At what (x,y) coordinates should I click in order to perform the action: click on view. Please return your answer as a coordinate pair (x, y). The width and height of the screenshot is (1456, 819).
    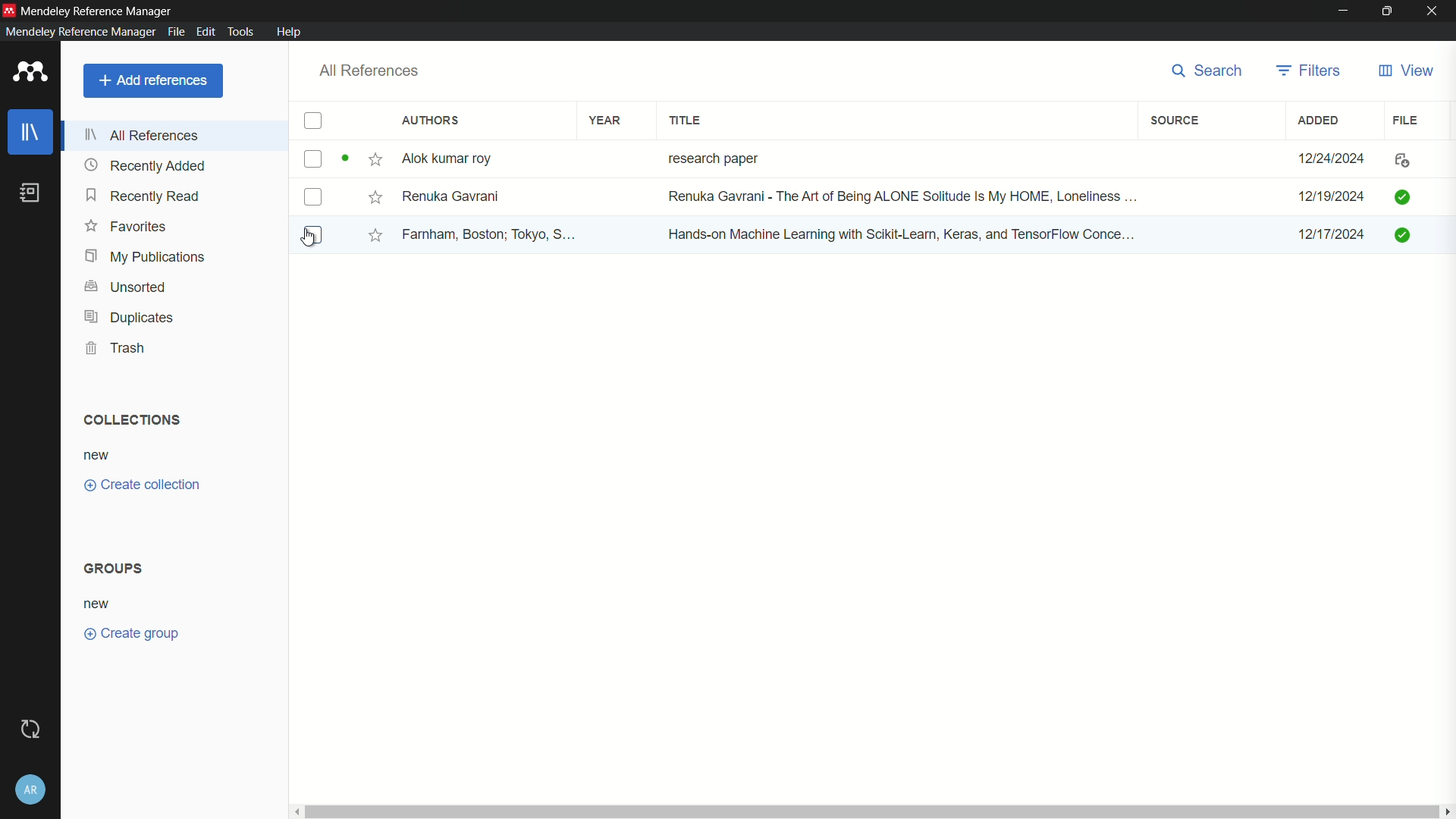
    Looking at the image, I should click on (1406, 71).